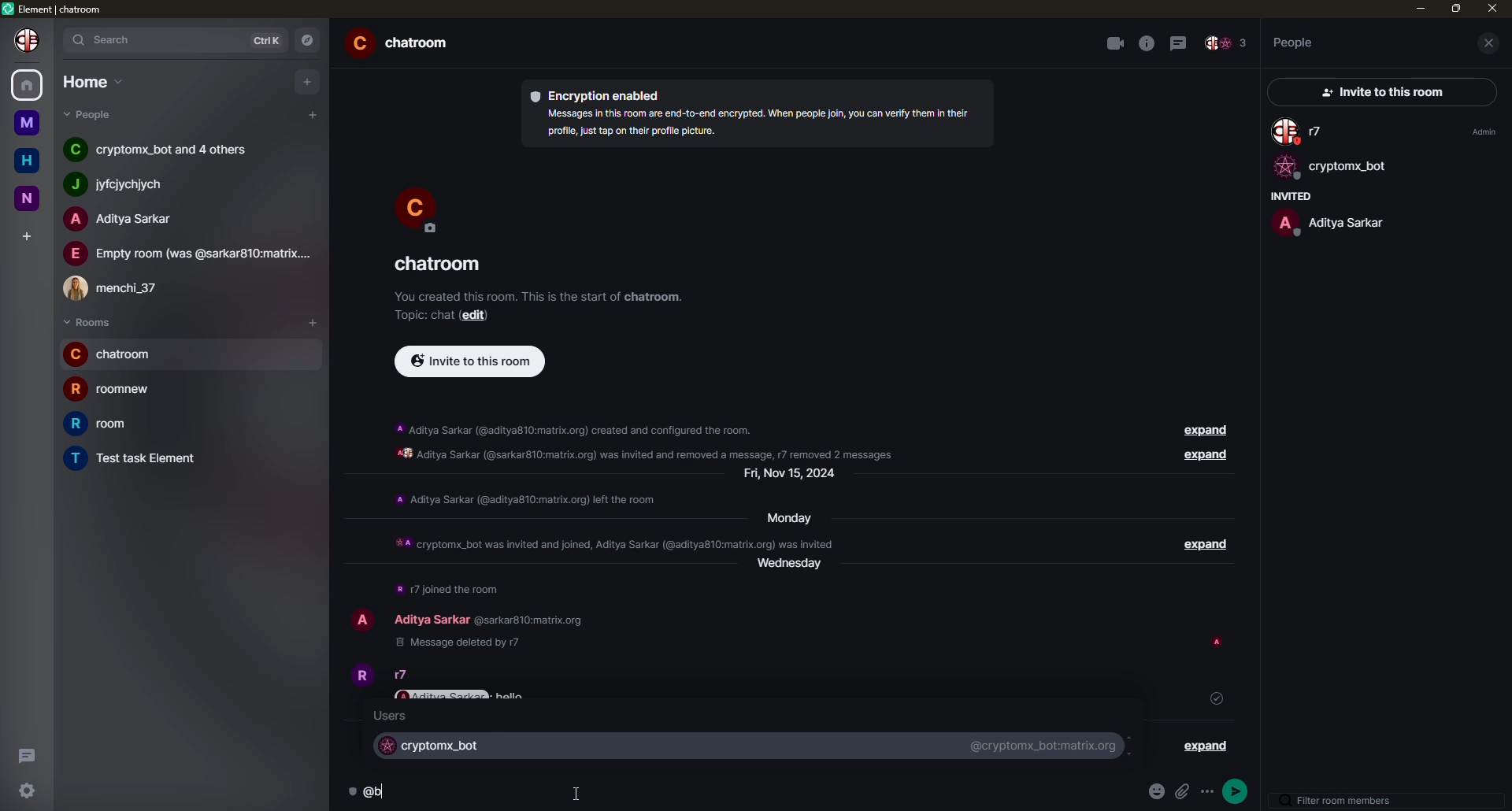 The width and height of the screenshot is (1512, 811). What do you see at coordinates (1147, 43) in the screenshot?
I see `info` at bounding box center [1147, 43].